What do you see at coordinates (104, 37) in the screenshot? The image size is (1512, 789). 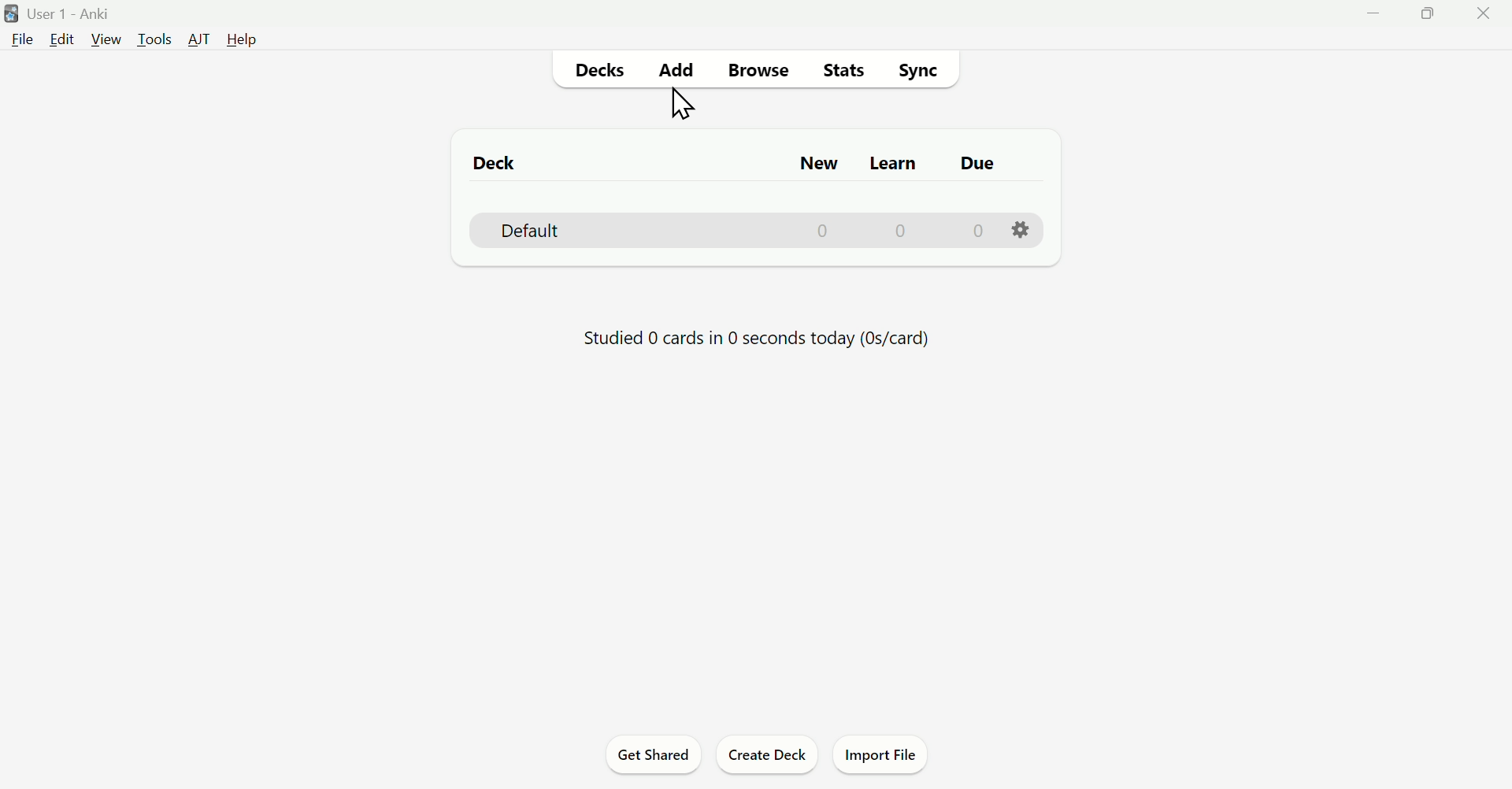 I see `View` at bounding box center [104, 37].